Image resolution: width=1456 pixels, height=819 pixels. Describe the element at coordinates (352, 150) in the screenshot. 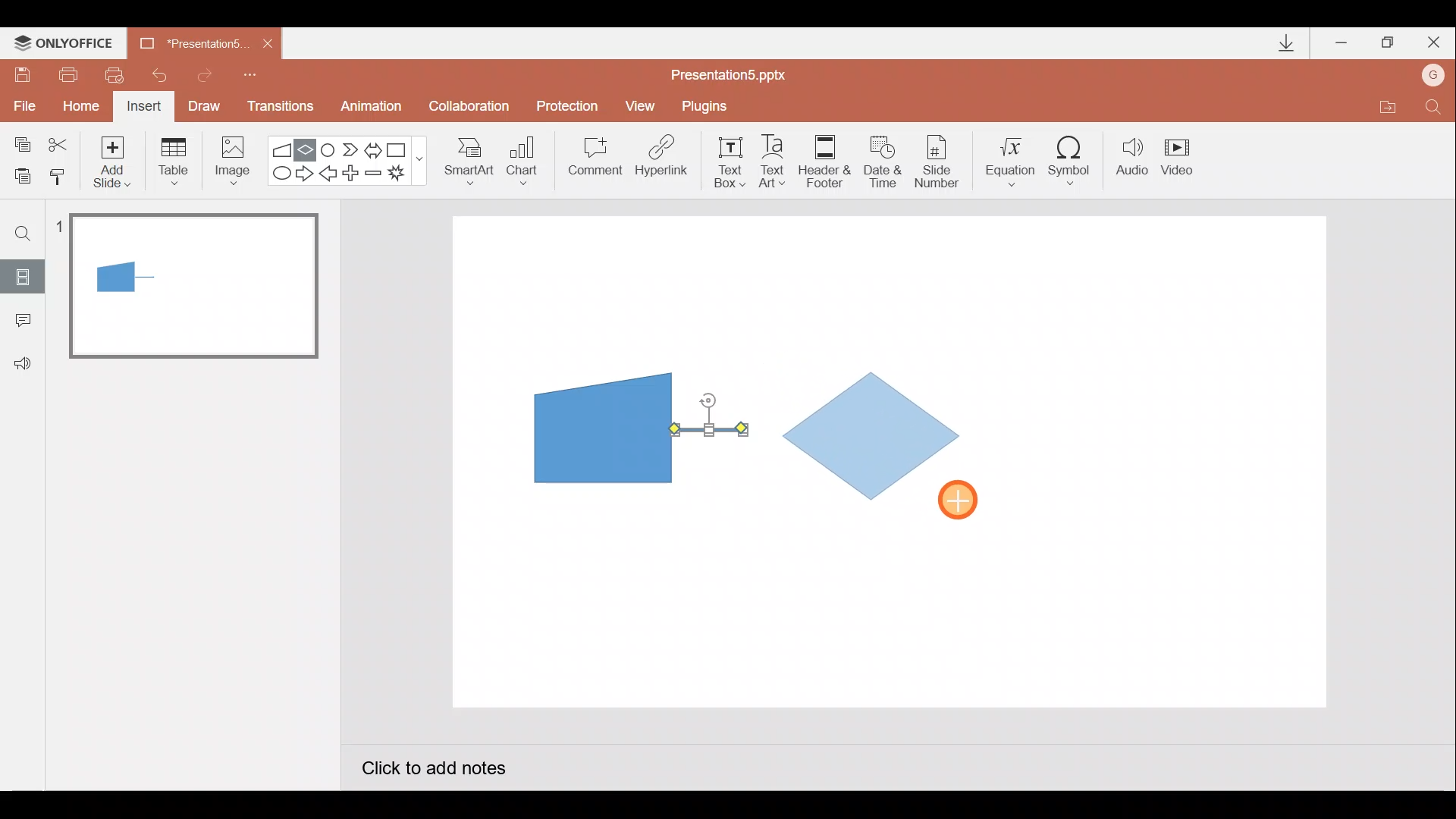

I see `Chevron` at that location.